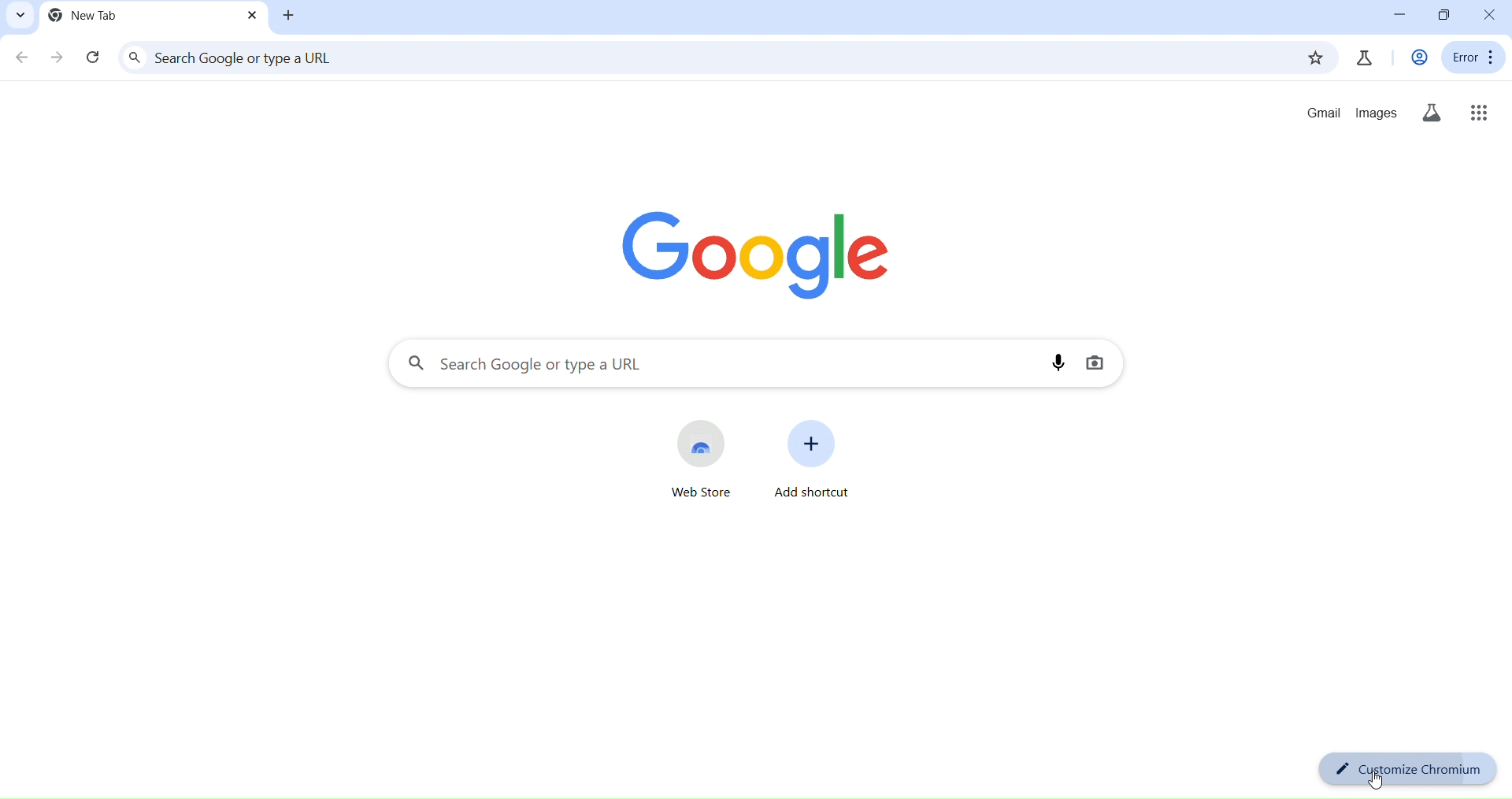 Image resolution: width=1512 pixels, height=799 pixels. Describe the element at coordinates (1419, 58) in the screenshot. I see `account` at that location.